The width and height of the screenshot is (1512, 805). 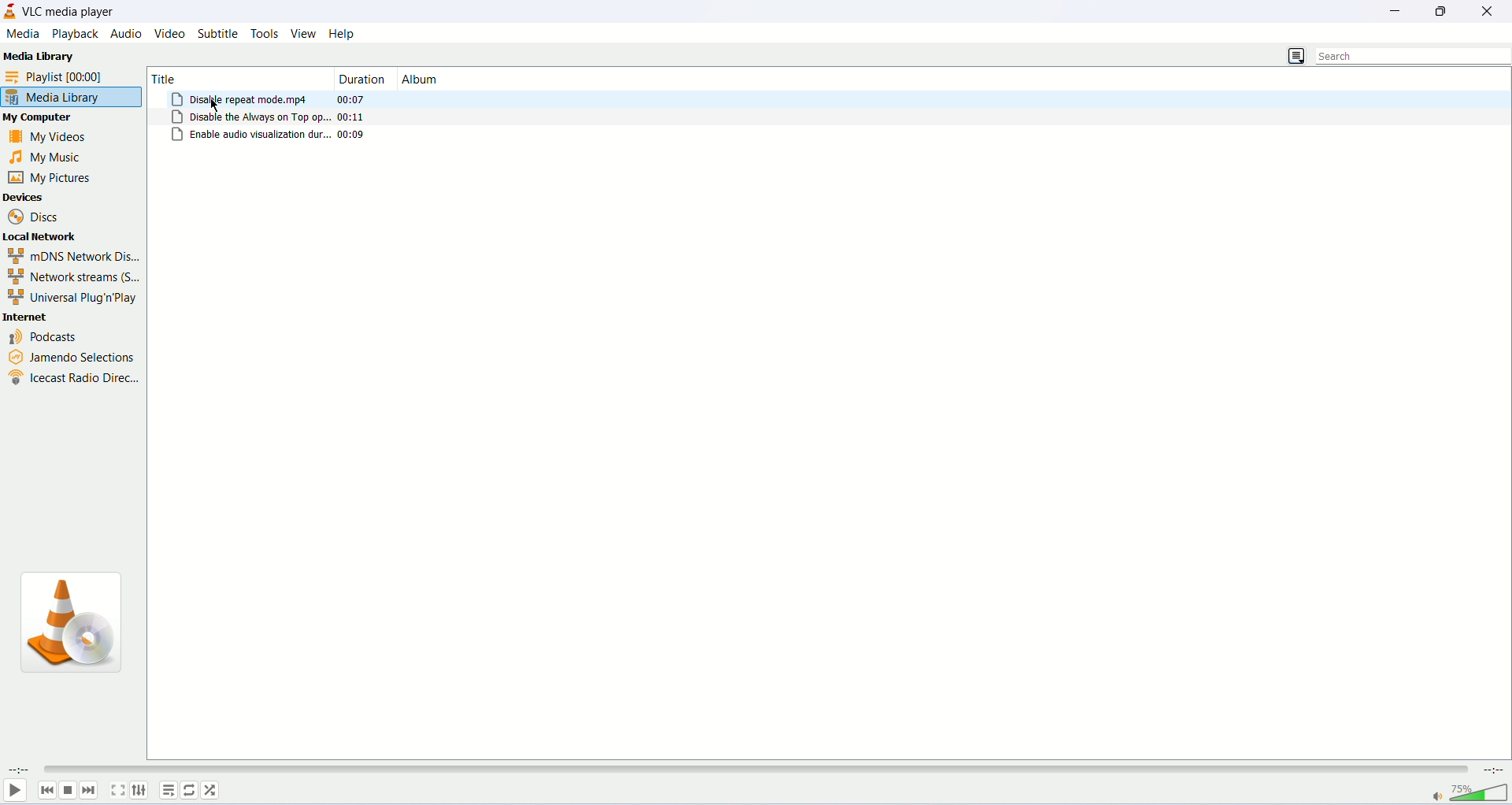 What do you see at coordinates (209, 790) in the screenshot?
I see `random` at bounding box center [209, 790].